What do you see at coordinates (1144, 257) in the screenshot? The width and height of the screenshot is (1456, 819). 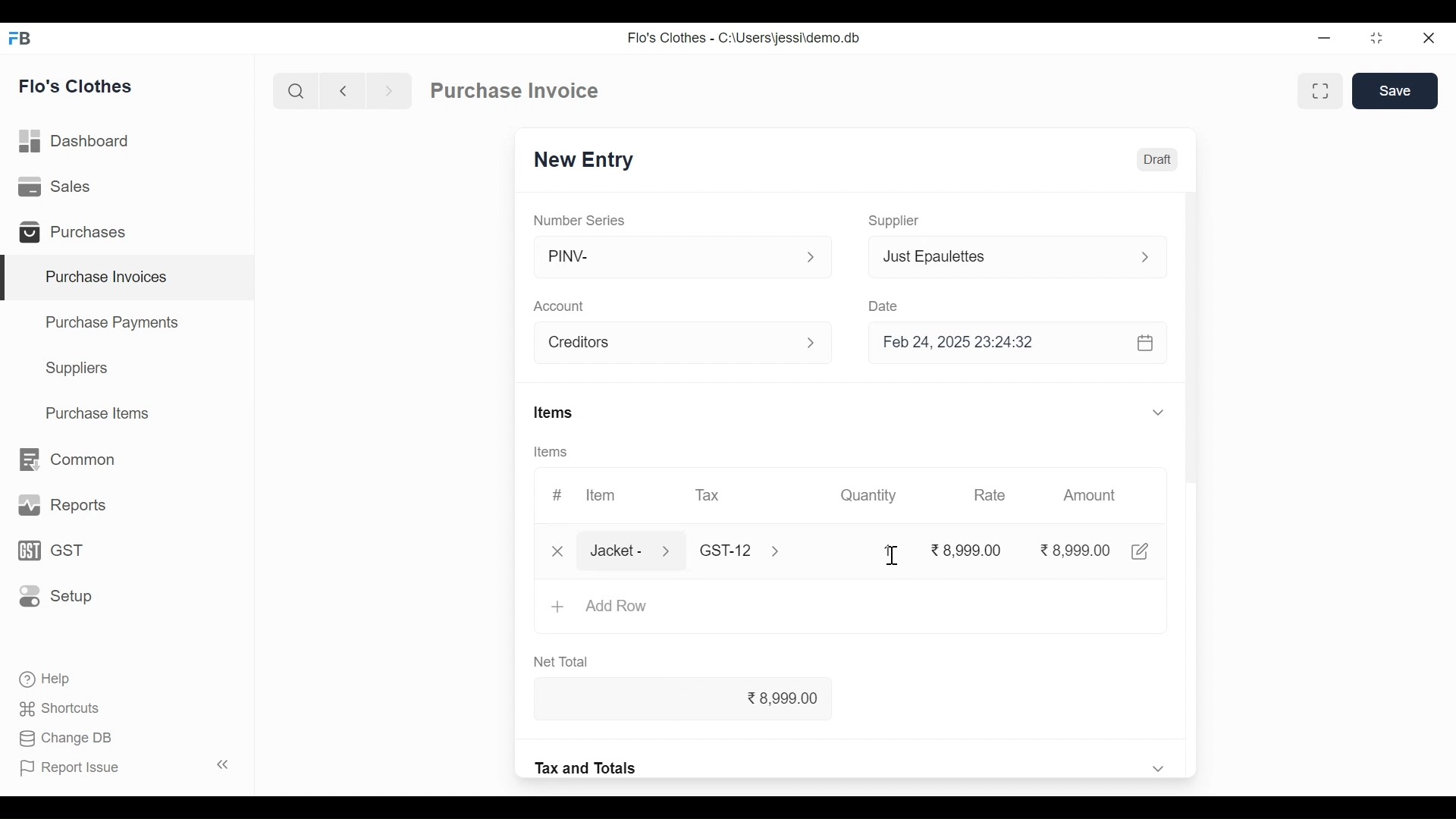 I see `Expand` at bounding box center [1144, 257].